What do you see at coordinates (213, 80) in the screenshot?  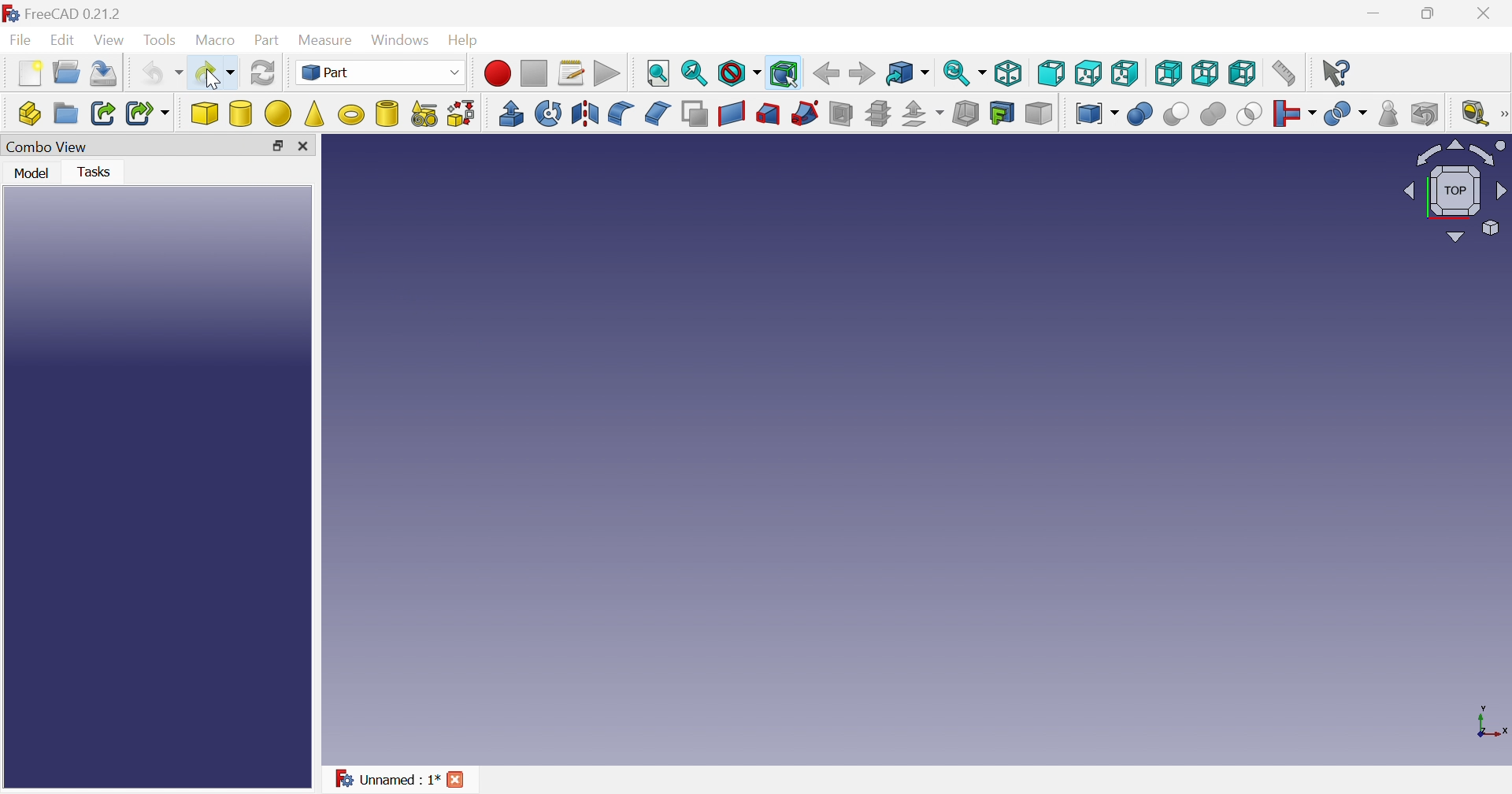 I see `cursor` at bounding box center [213, 80].